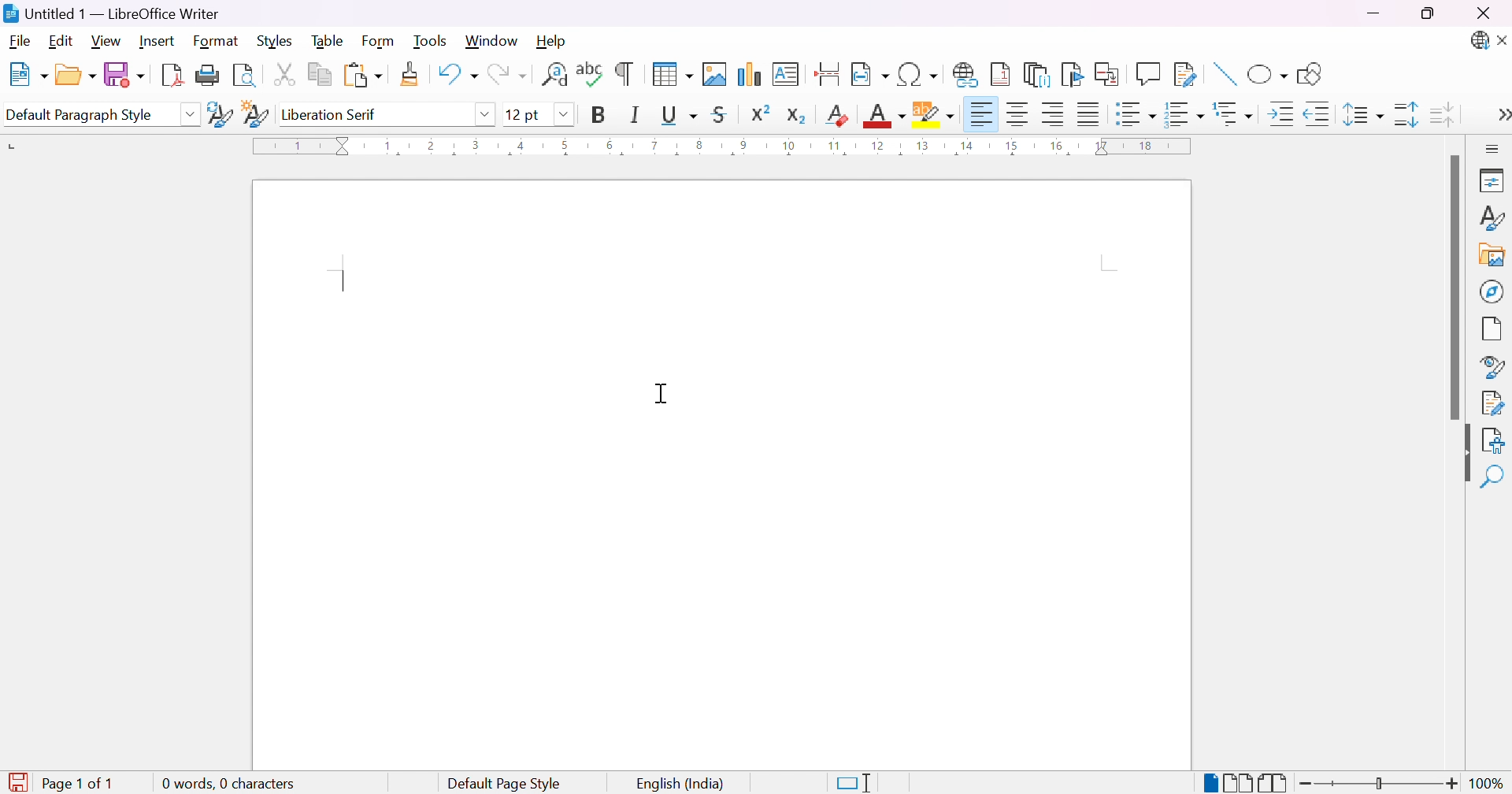  I want to click on 0 words, 0 characters, so click(230, 785).